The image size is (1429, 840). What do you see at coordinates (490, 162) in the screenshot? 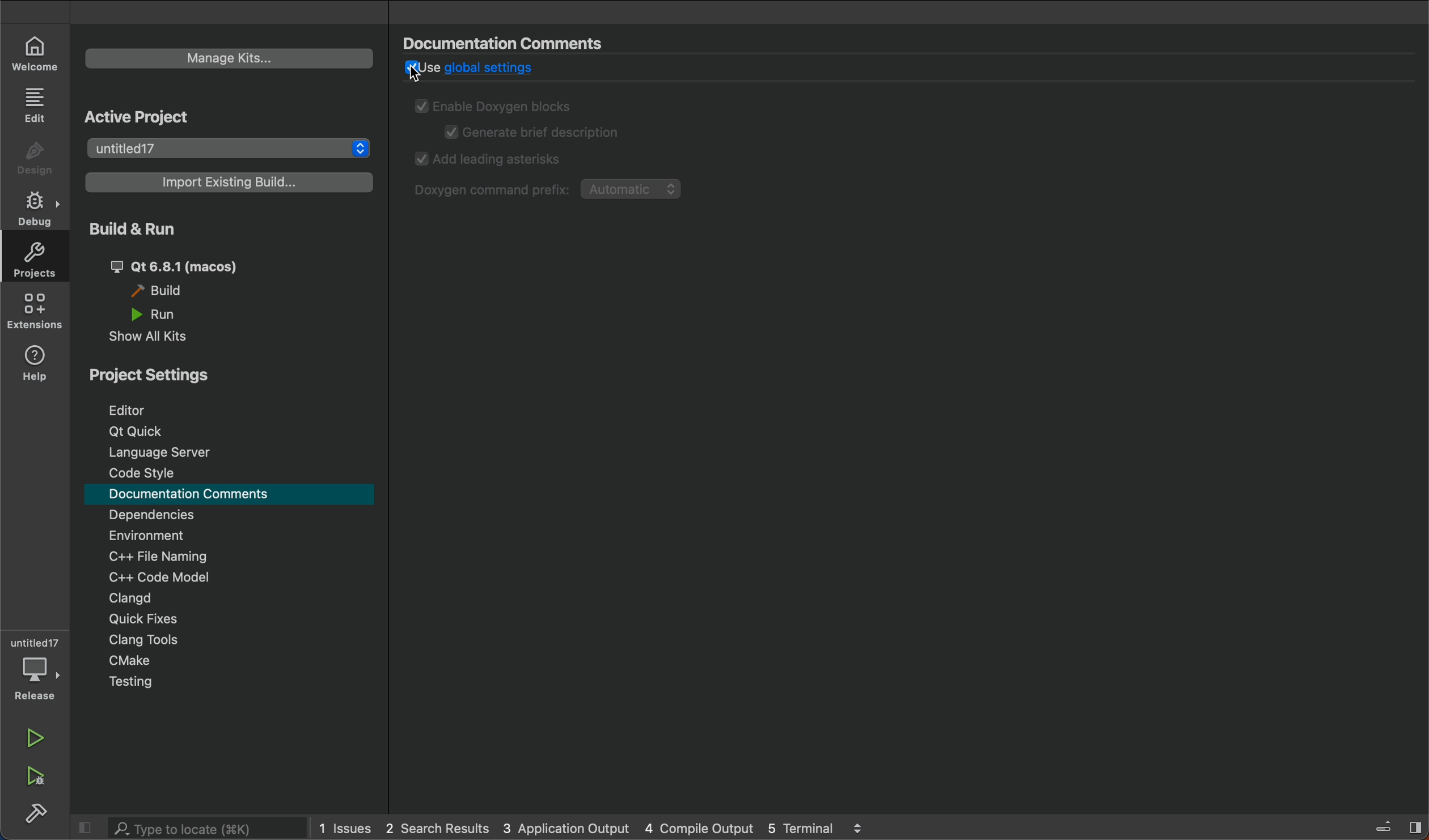
I see `add astricks` at bounding box center [490, 162].